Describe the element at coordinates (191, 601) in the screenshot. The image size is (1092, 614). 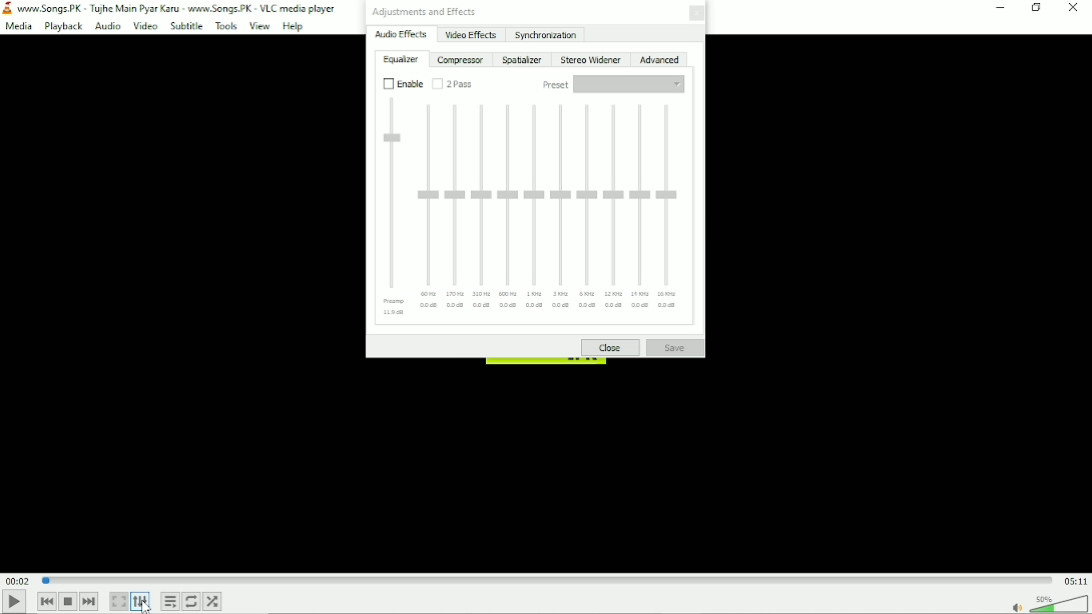
I see `Toggle between loop all, loop one and no loop` at that location.